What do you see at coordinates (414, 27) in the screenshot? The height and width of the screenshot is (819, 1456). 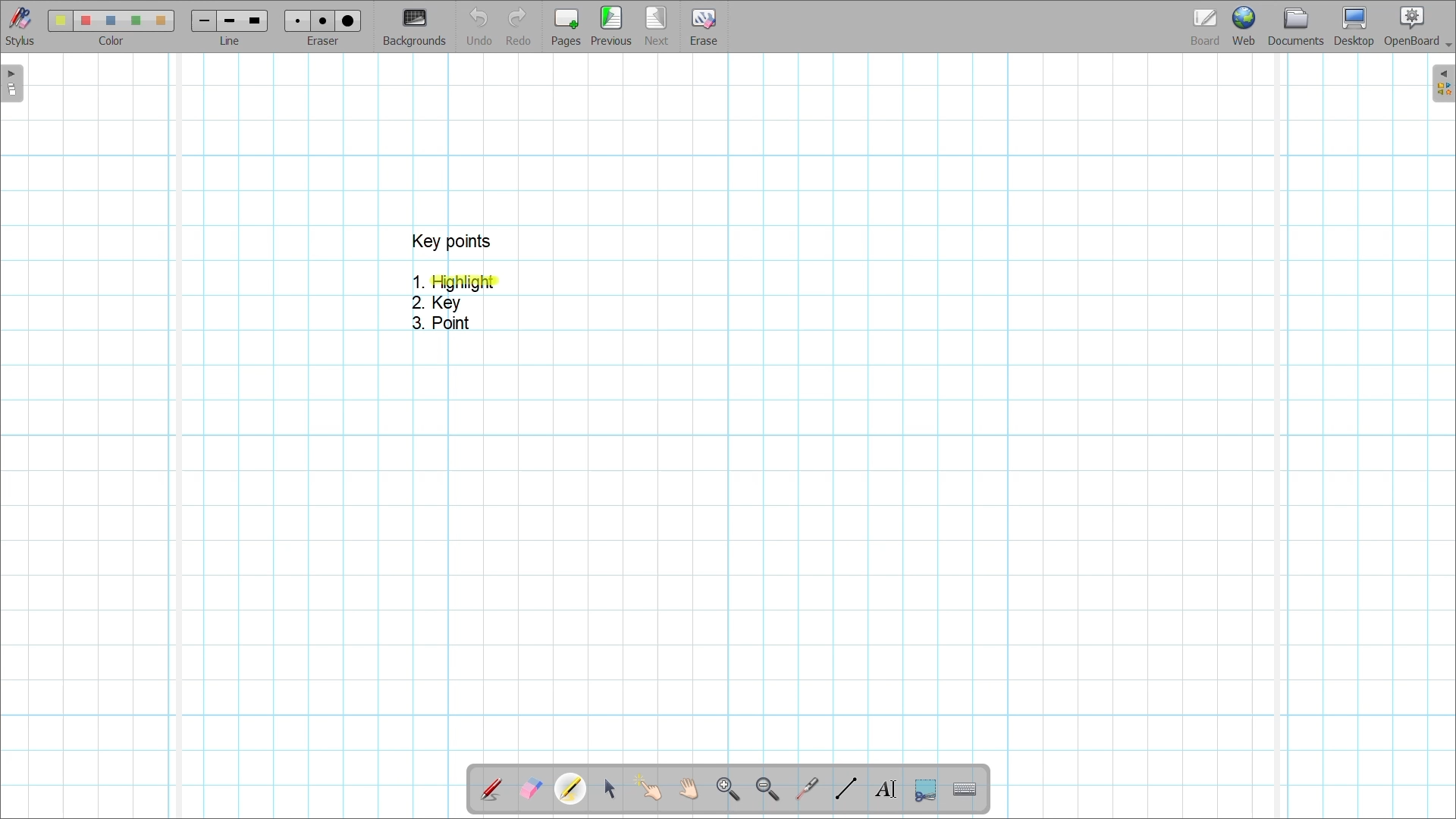 I see `Change background` at bounding box center [414, 27].